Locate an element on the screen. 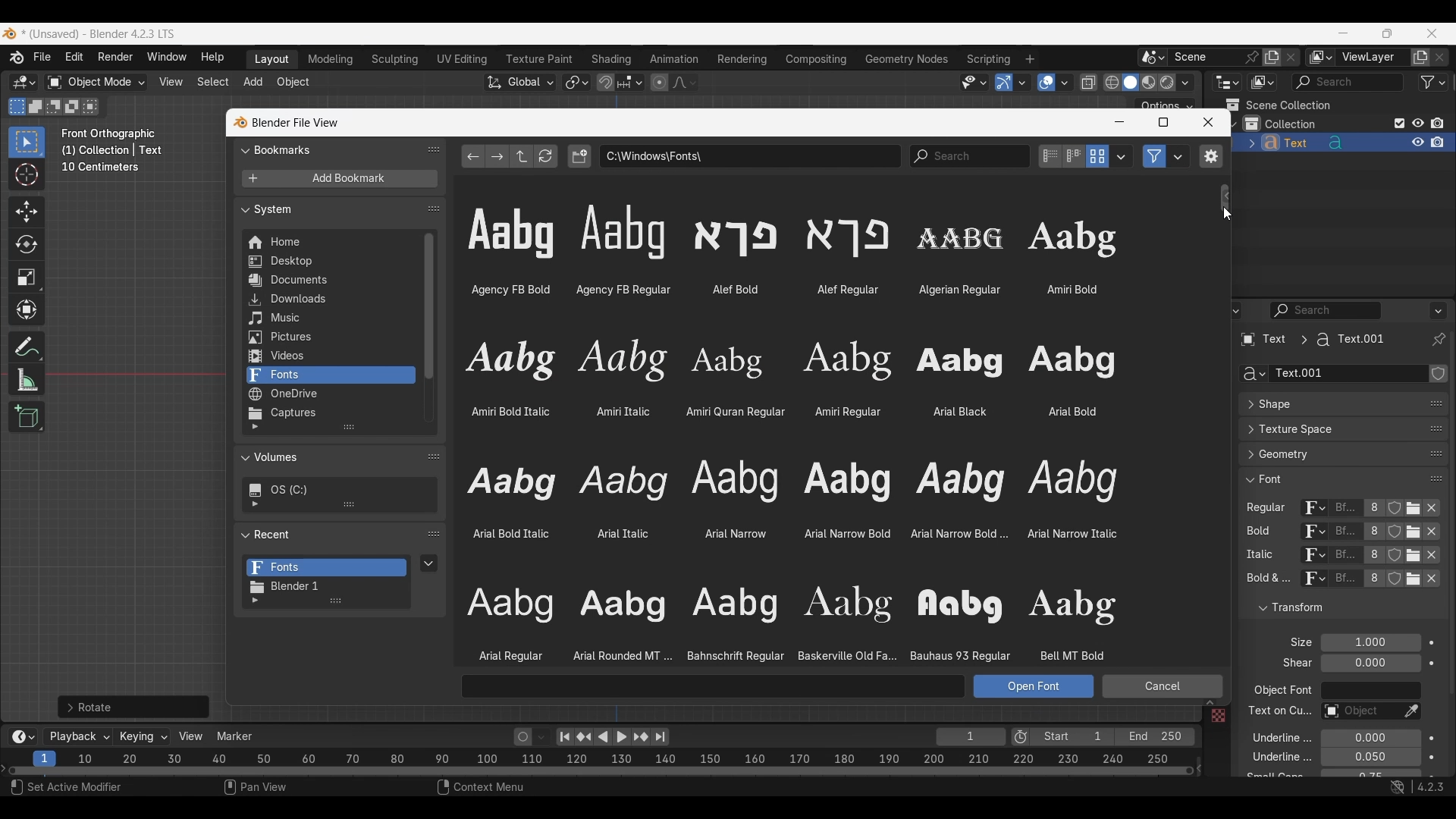 Image resolution: width=1456 pixels, height=819 pixels. blender file view is located at coordinates (293, 122).